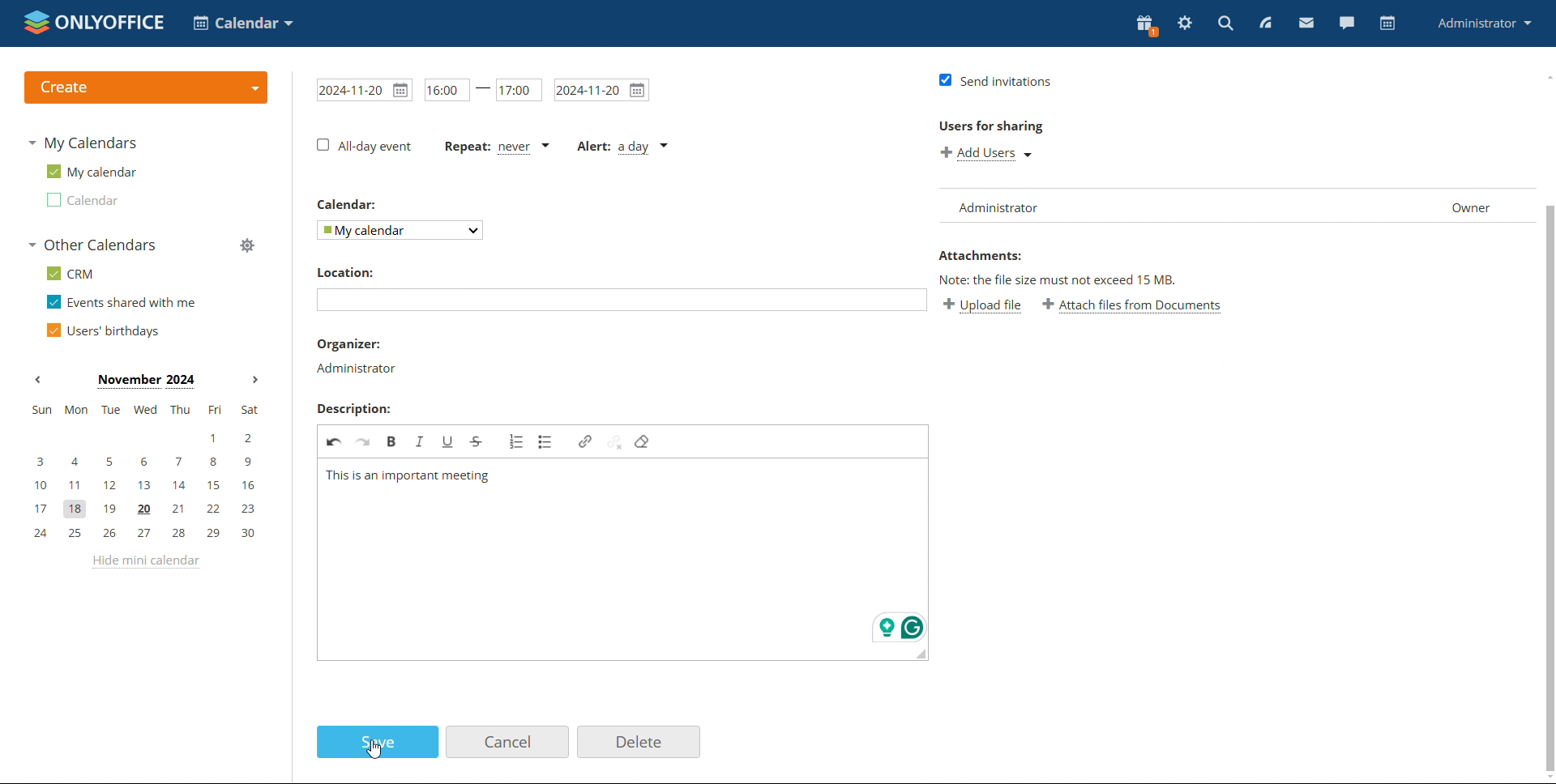  I want to click on all-day event, so click(364, 145).